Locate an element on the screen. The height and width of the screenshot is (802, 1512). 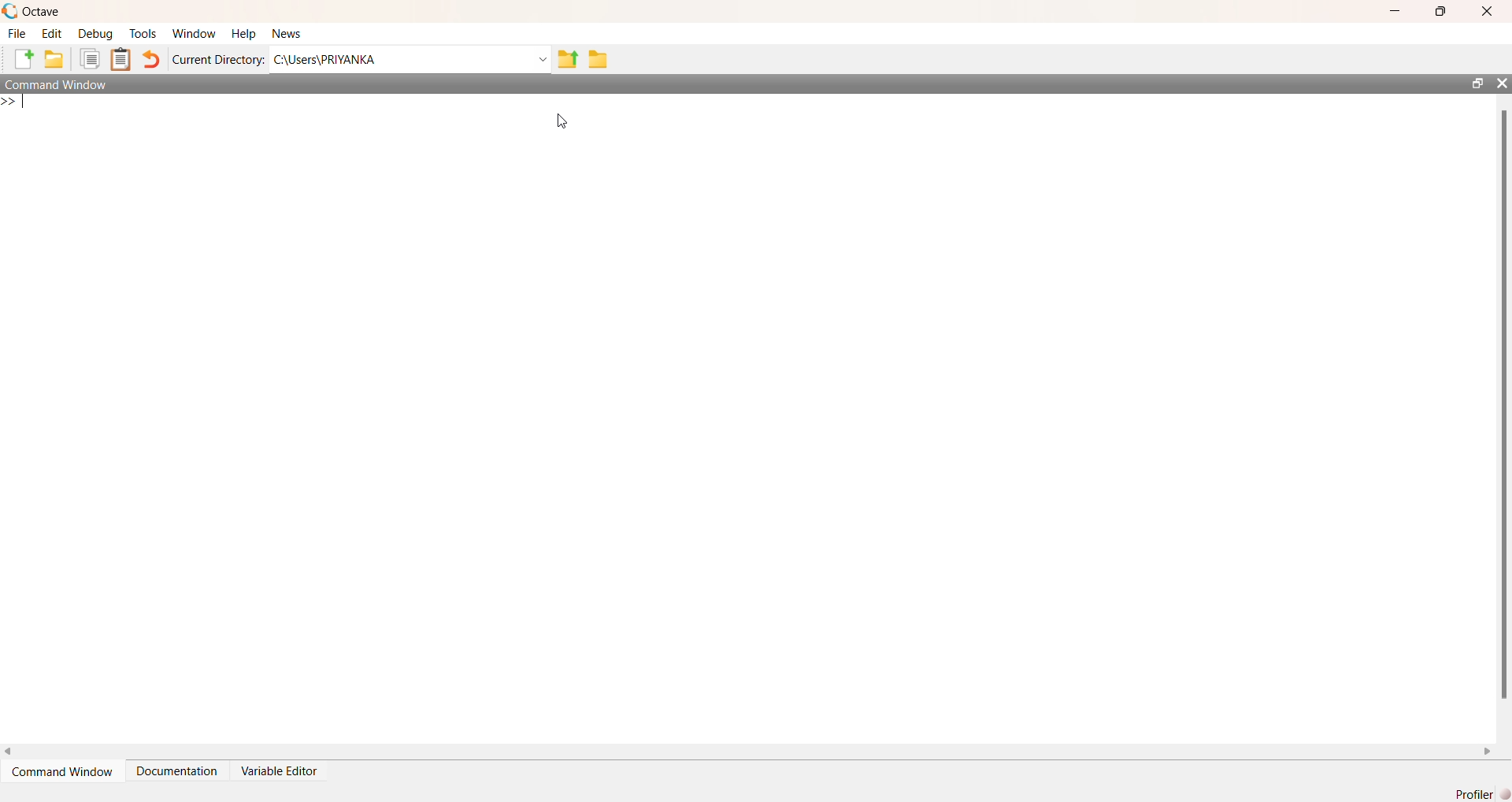
octave is located at coordinates (50, 10).